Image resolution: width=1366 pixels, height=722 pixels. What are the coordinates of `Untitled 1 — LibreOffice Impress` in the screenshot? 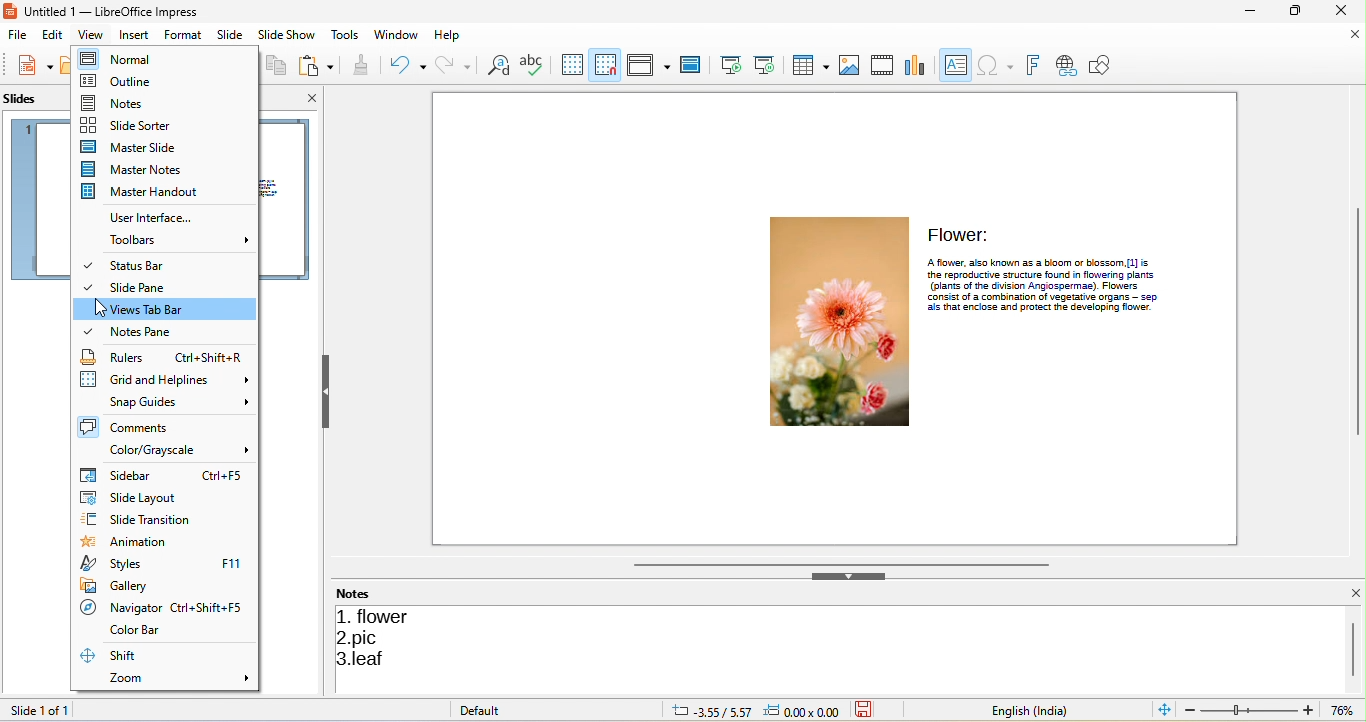 It's located at (105, 11).